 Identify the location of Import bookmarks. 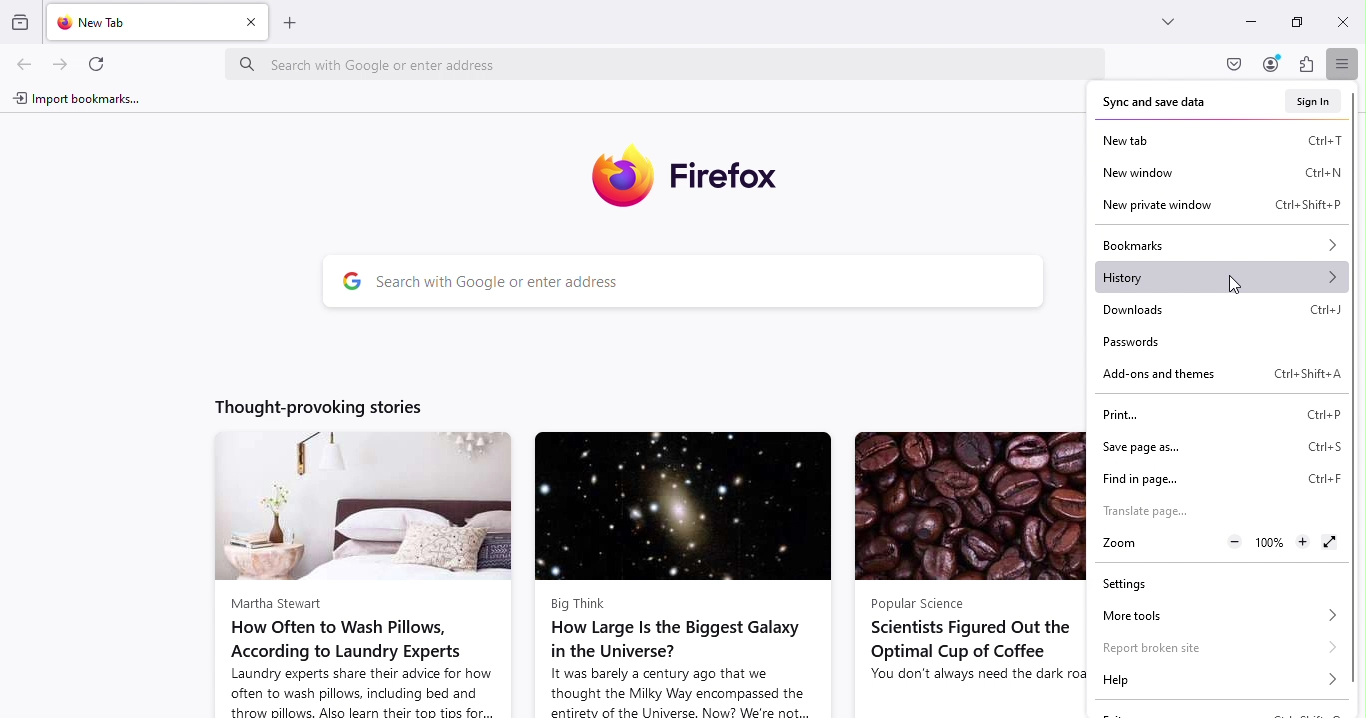
(75, 102).